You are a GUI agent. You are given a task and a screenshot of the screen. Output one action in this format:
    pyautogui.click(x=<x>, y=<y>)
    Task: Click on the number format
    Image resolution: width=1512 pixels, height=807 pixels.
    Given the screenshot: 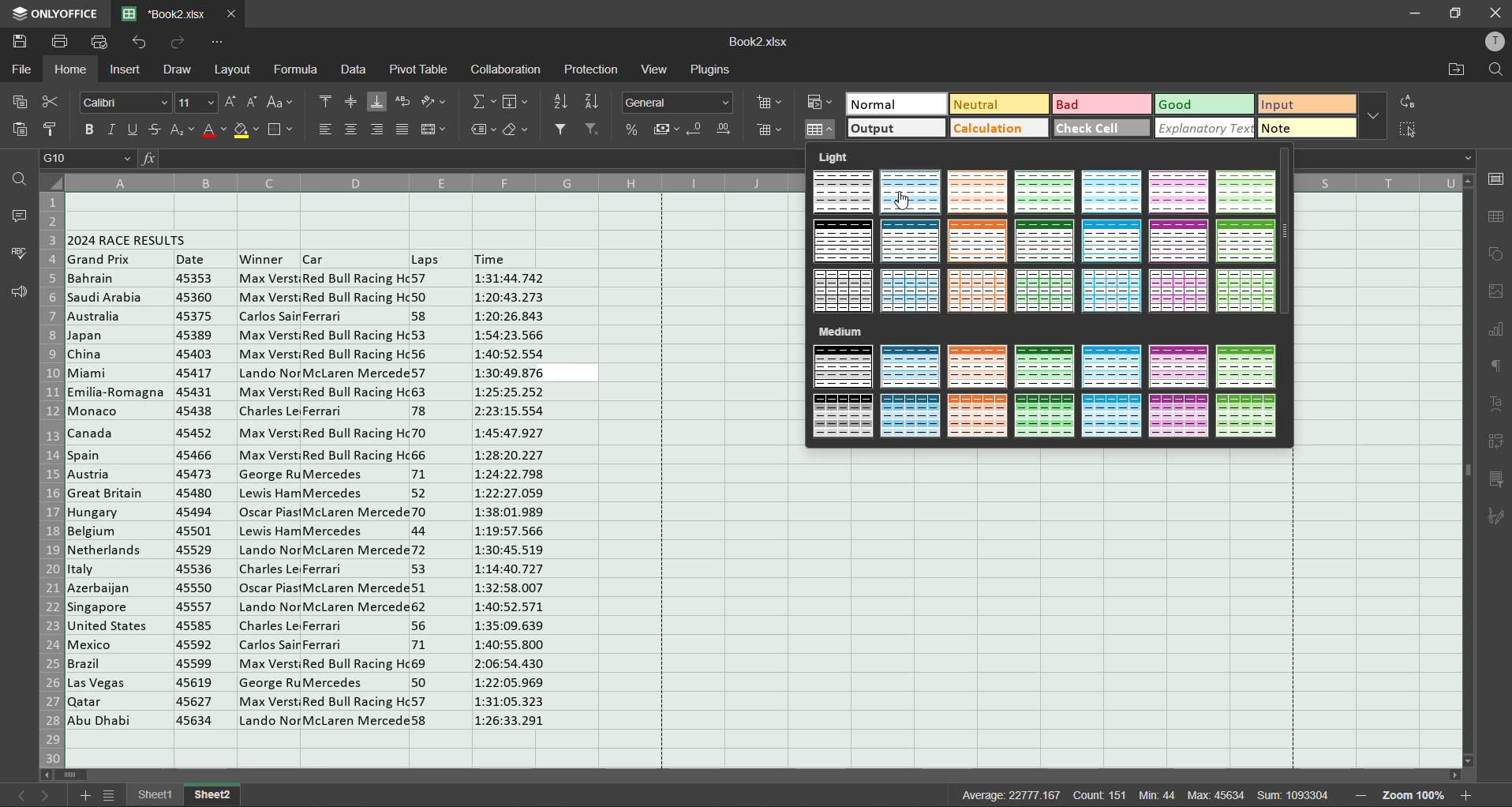 What is the action you would take?
    pyautogui.click(x=678, y=103)
    